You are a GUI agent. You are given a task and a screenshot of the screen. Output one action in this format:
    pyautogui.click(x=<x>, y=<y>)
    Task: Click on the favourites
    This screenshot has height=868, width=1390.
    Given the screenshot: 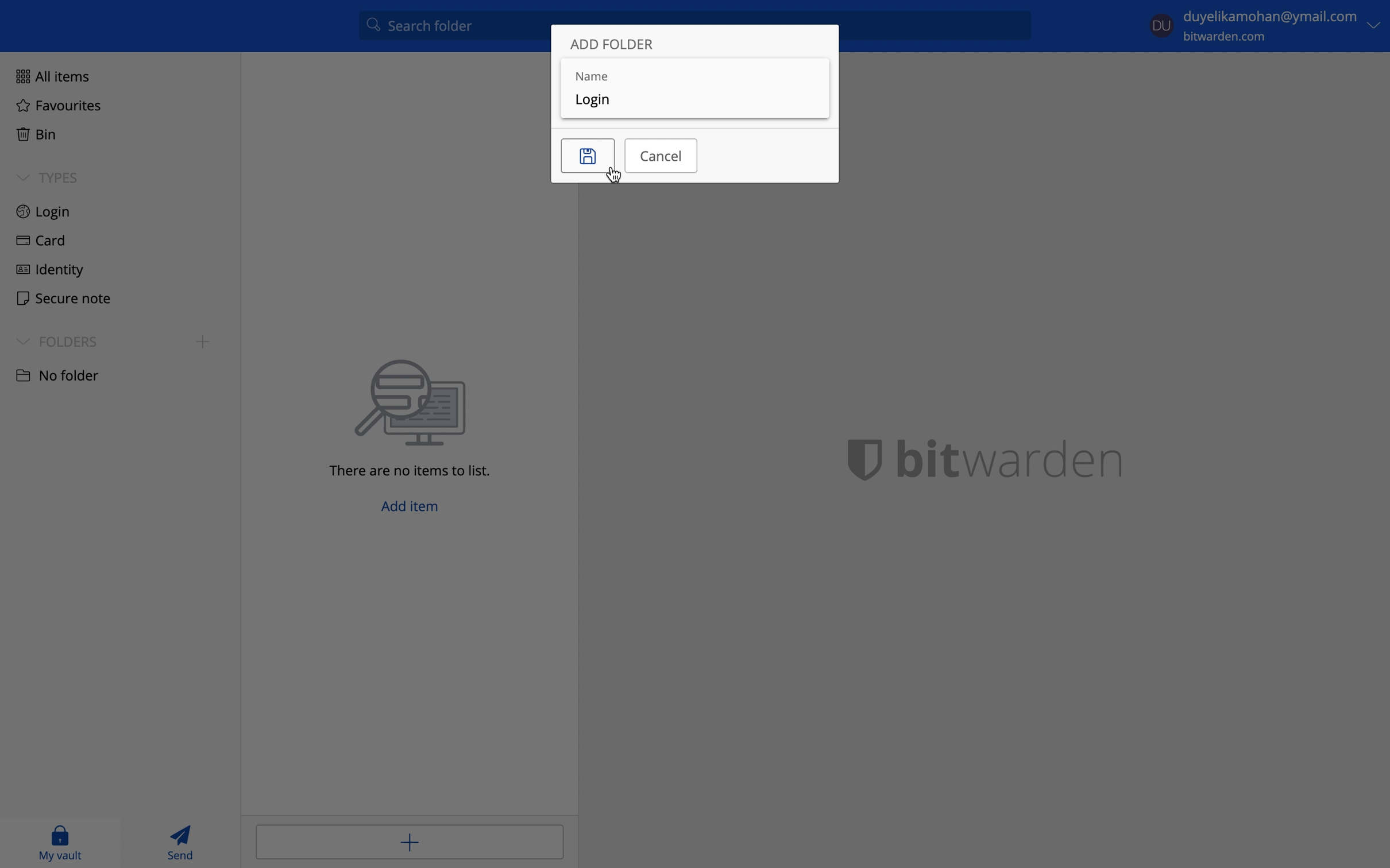 What is the action you would take?
    pyautogui.click(x=59, y=107)
    